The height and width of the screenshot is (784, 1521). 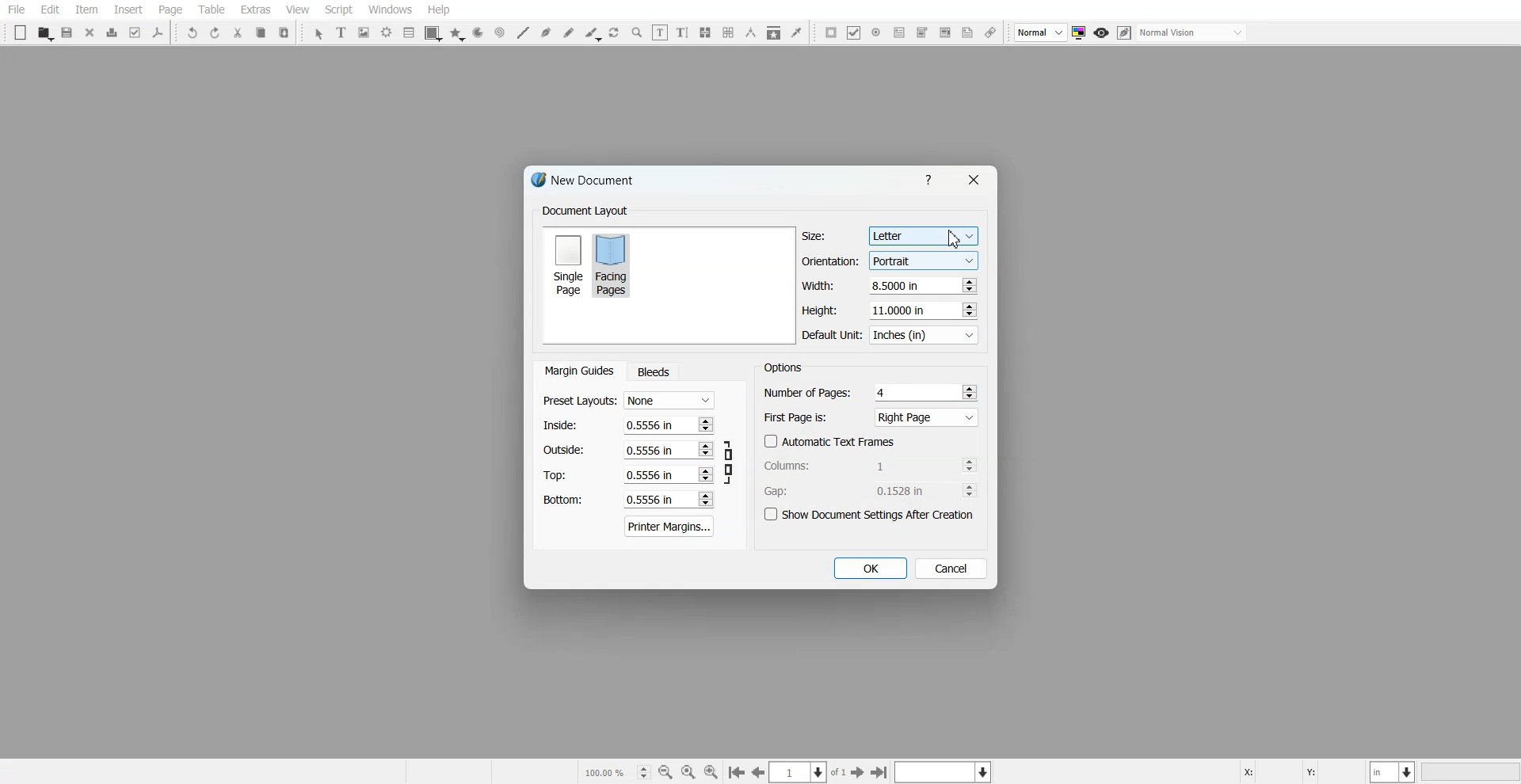 I want to click on PDF List Box, so click(x=944, y=33).